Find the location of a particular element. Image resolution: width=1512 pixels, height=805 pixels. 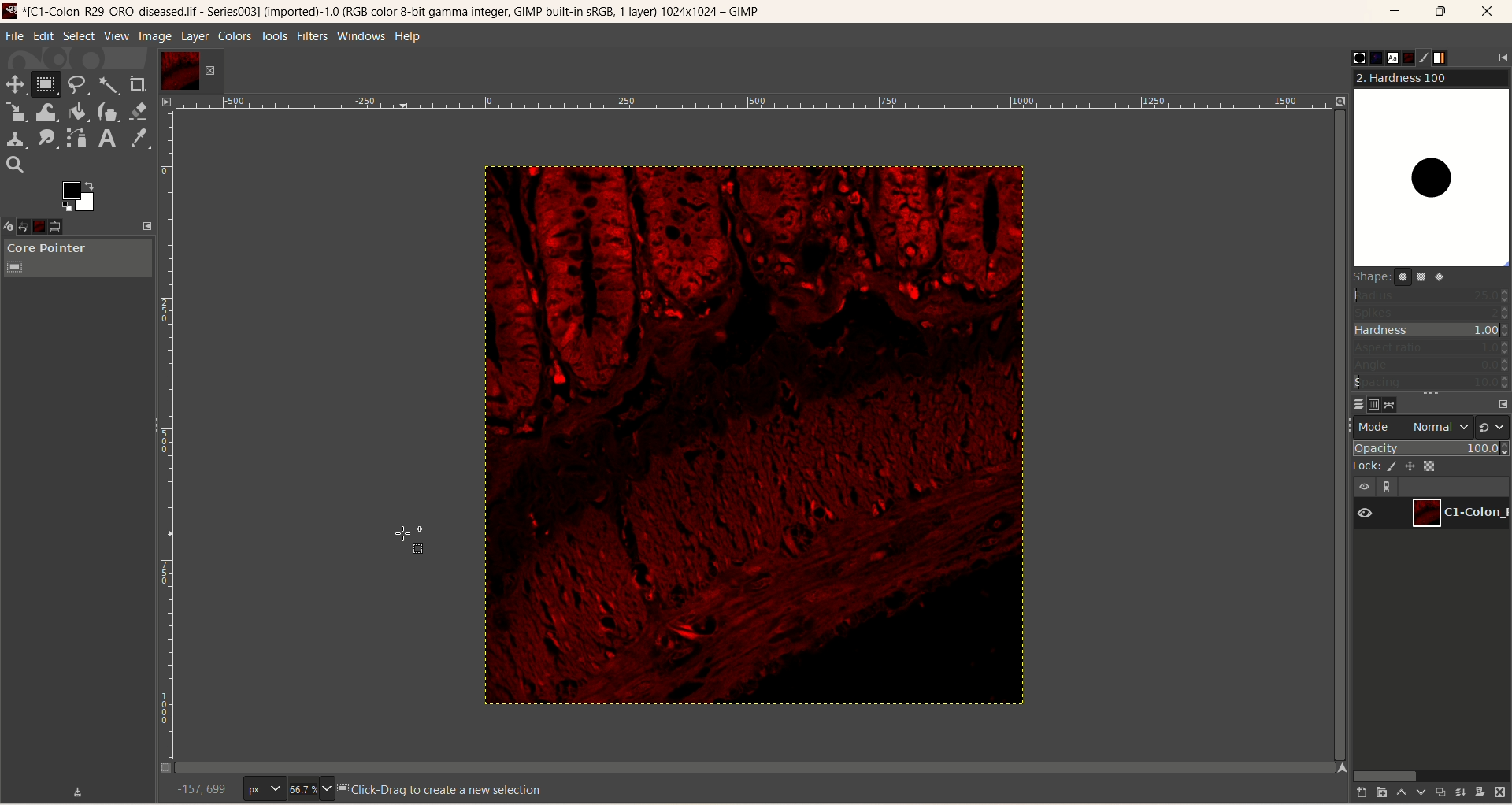

duplicate the layer is located at coordinates (1439, 794).